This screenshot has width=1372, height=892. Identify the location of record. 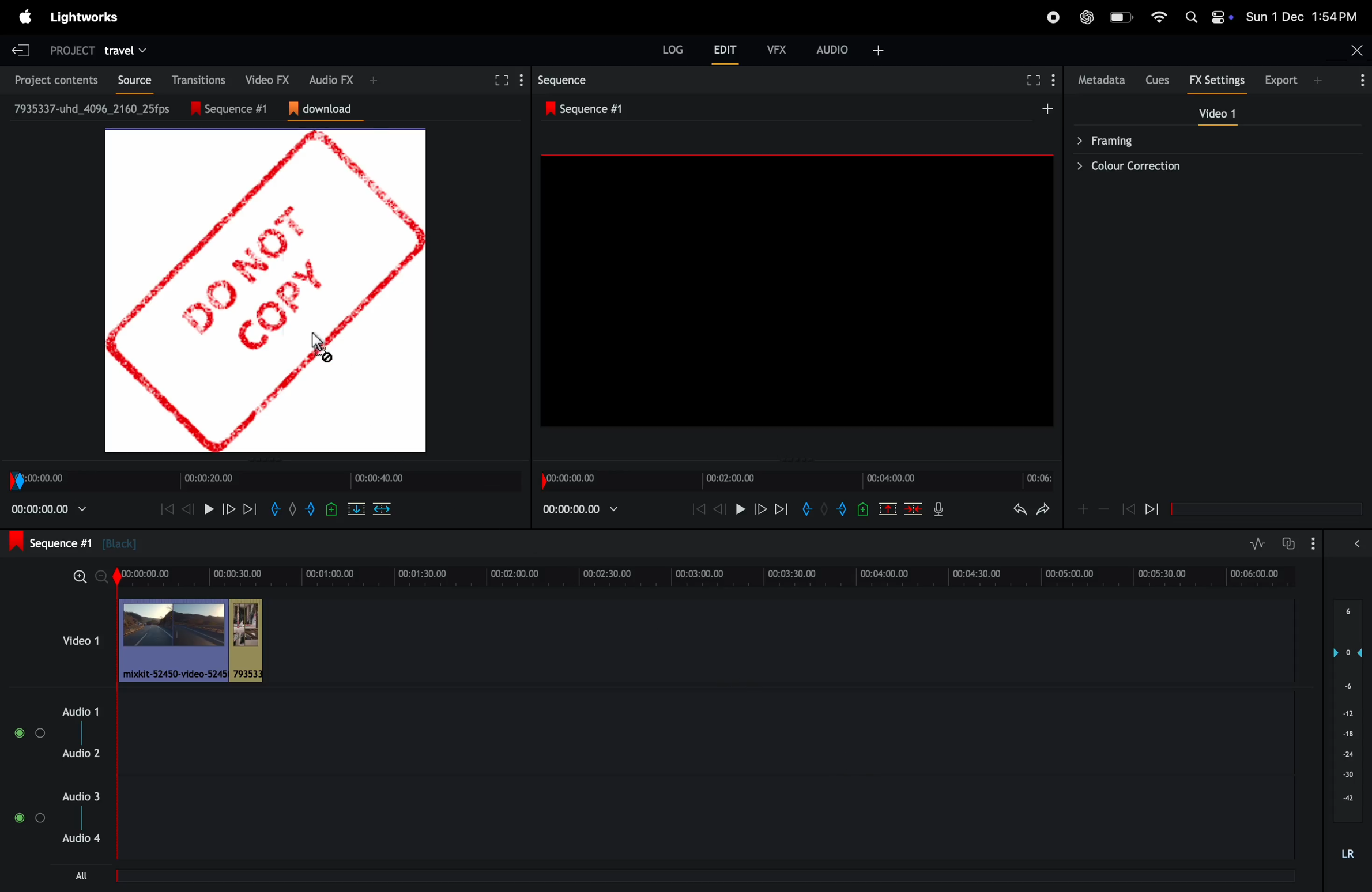
(1053, 17).